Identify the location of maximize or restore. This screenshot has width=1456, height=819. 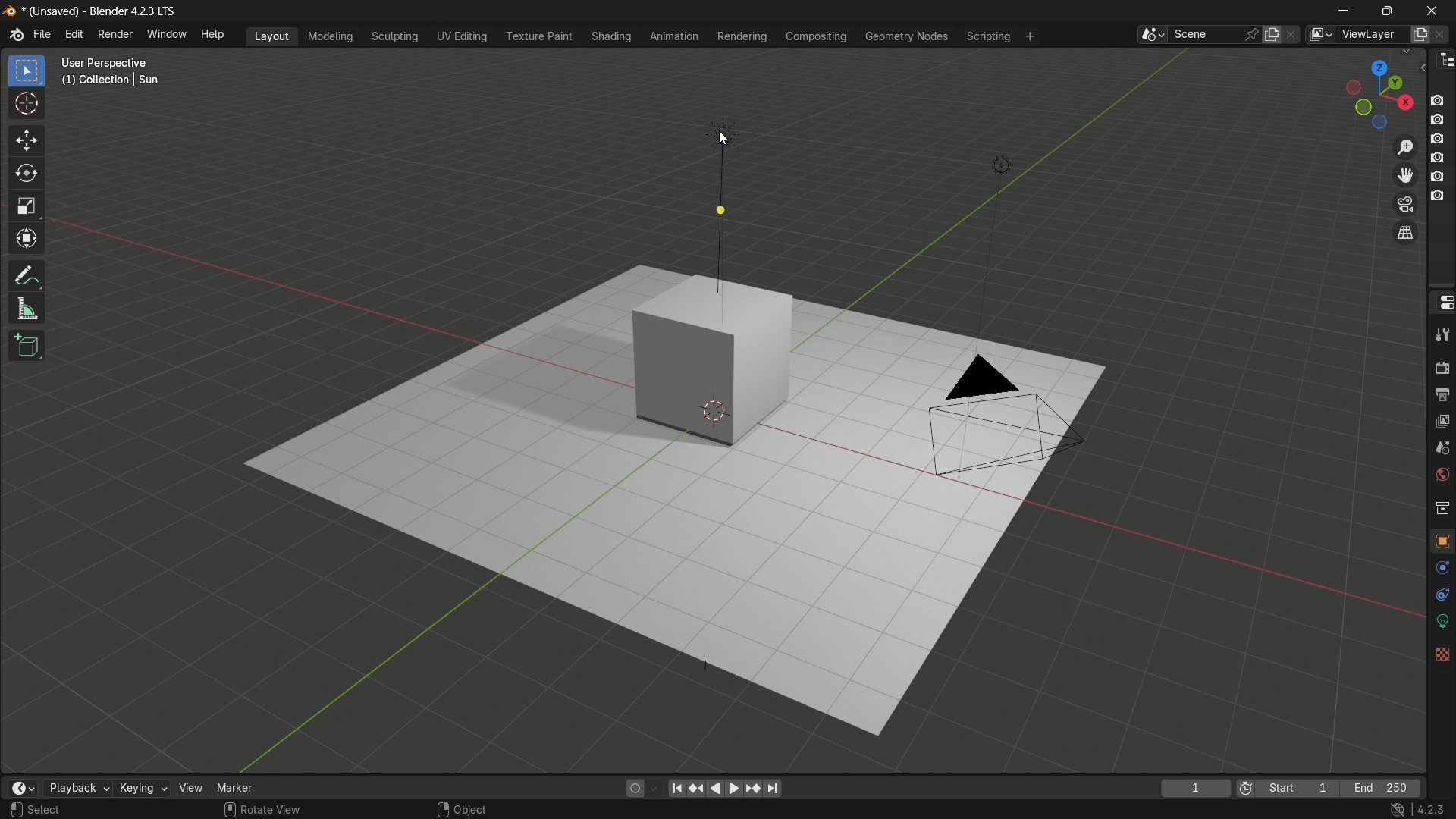
(1385, 10).